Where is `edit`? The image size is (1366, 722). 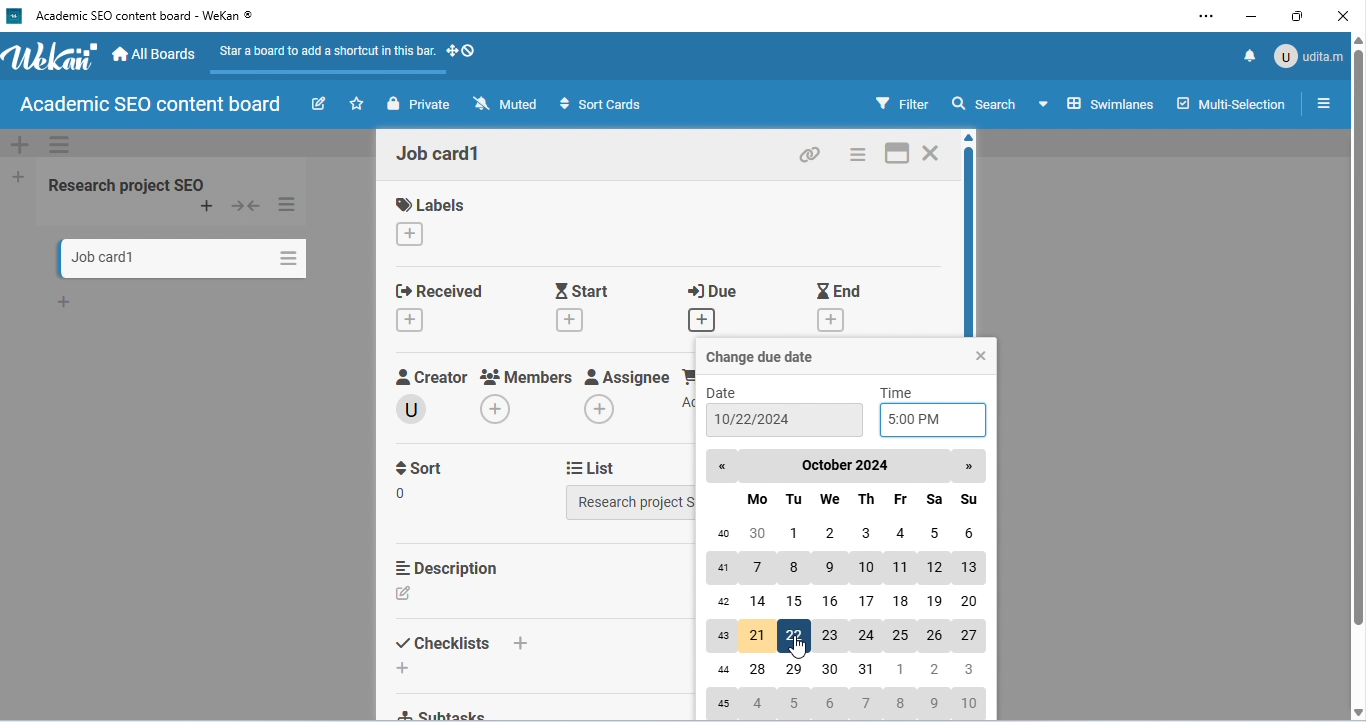
edit is located at coordinates (319, 104).